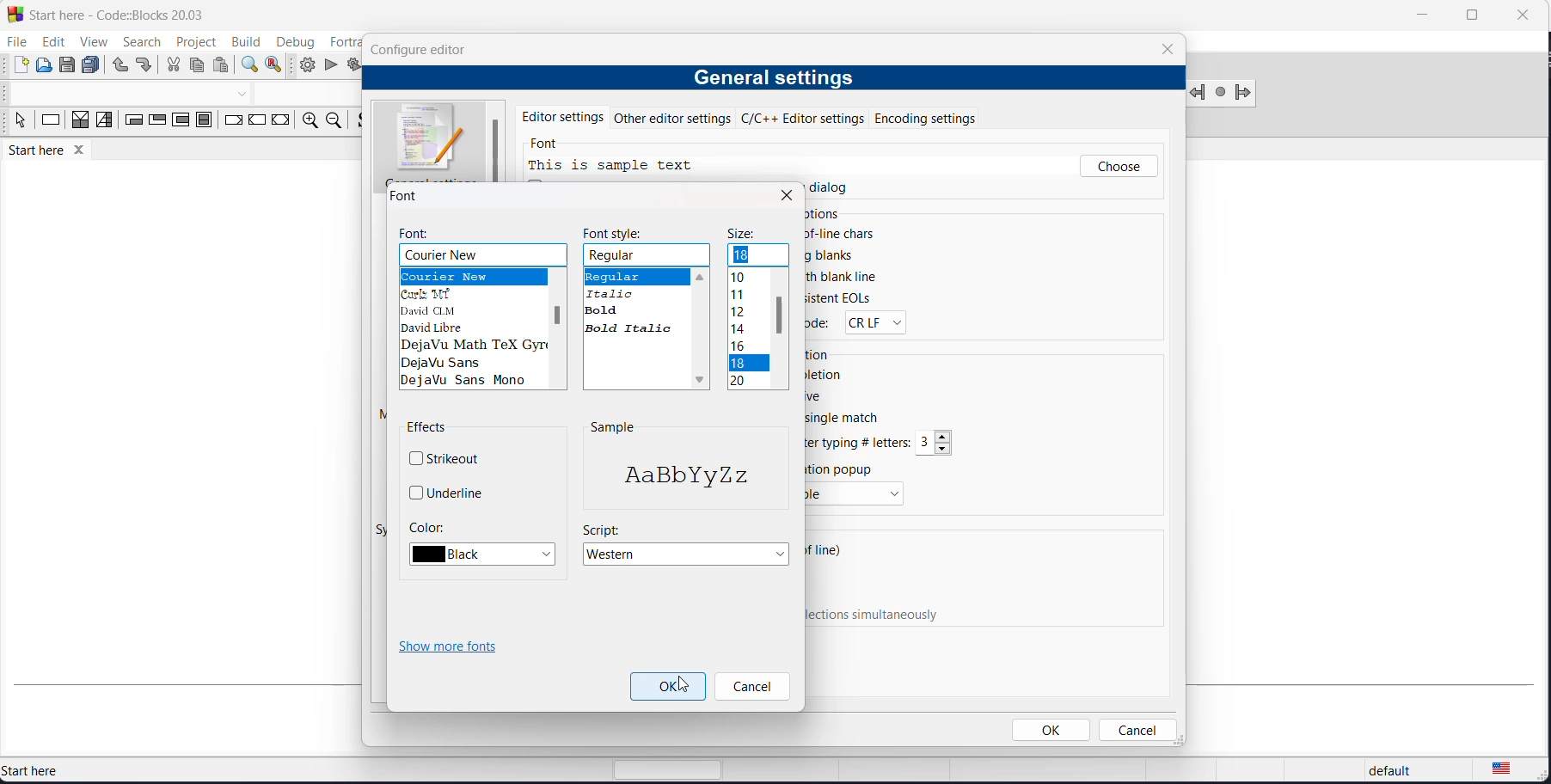  Describe the element at coordinates (1199, 93) in the screenshot. I see `jump back` at that location.